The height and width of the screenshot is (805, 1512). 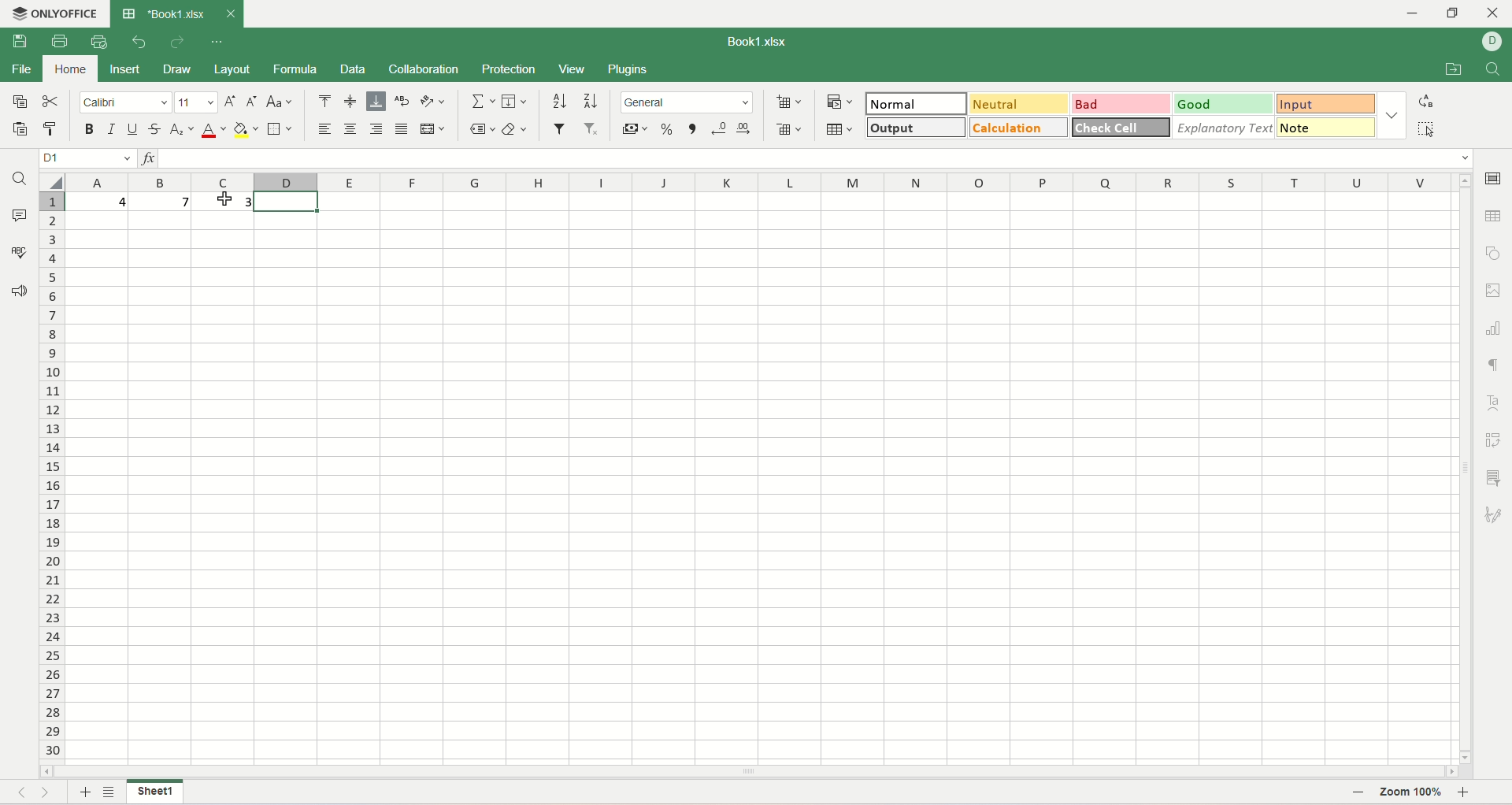 What do you see at coordinates (132, 129) in the screenshot?
I see `underline` at bounding box center [132, 129].